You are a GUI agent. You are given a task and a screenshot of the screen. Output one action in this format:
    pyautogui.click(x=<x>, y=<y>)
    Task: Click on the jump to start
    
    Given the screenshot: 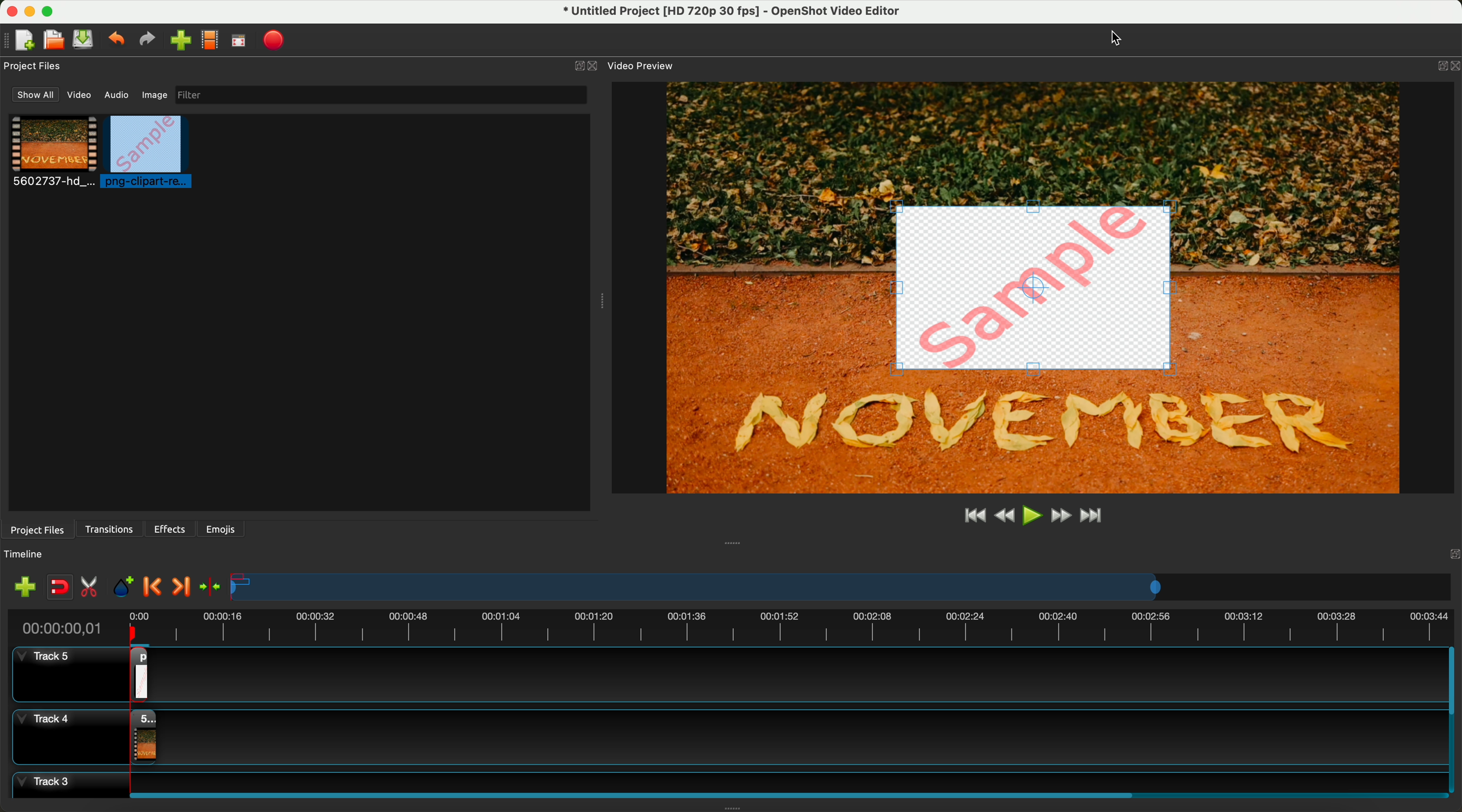 What is the action you would take?
    pyautogui.click(x=975, y=516)
    